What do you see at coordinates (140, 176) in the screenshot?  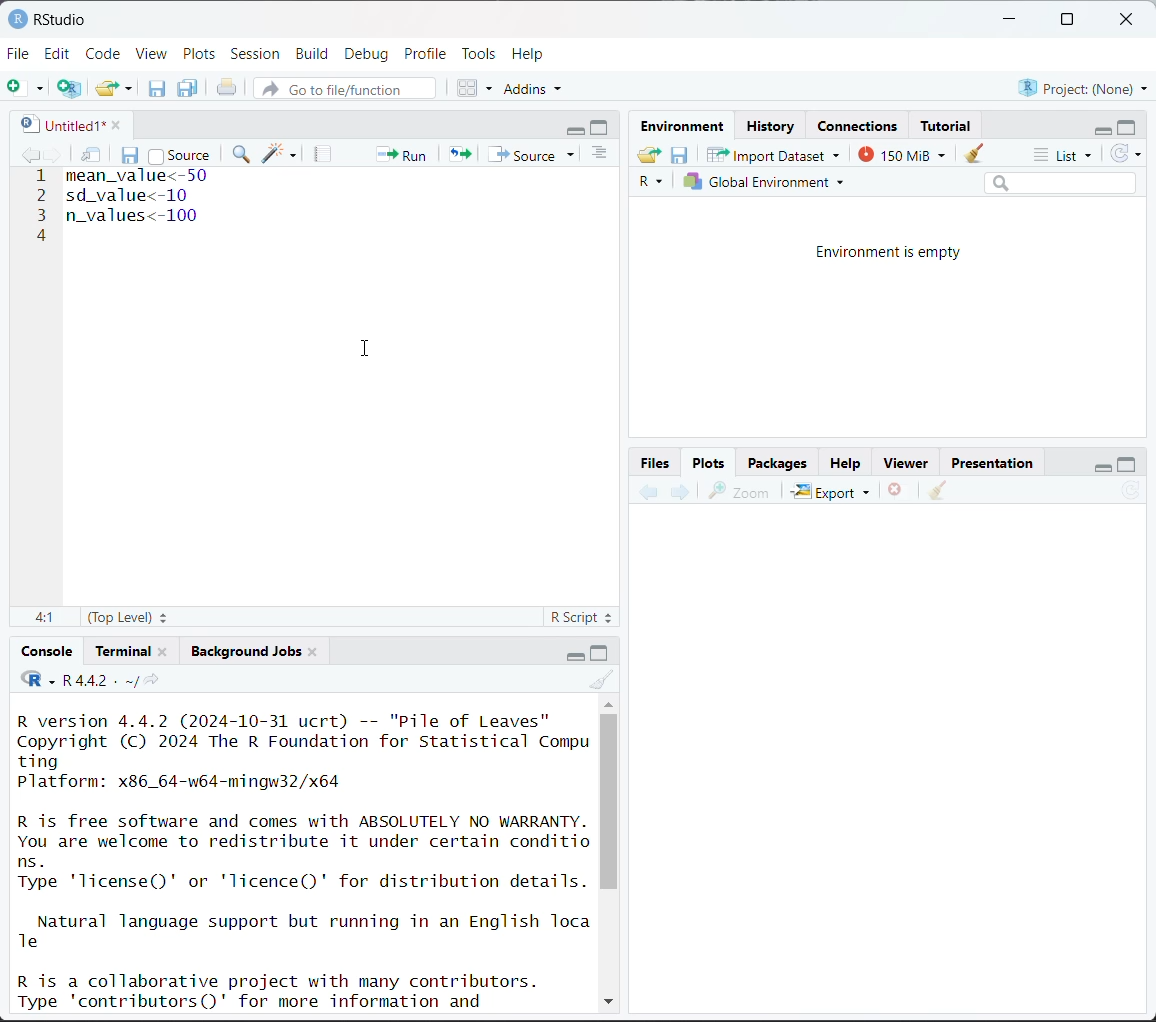 I see `mean_value<-50` at bounding box center [140, 176].